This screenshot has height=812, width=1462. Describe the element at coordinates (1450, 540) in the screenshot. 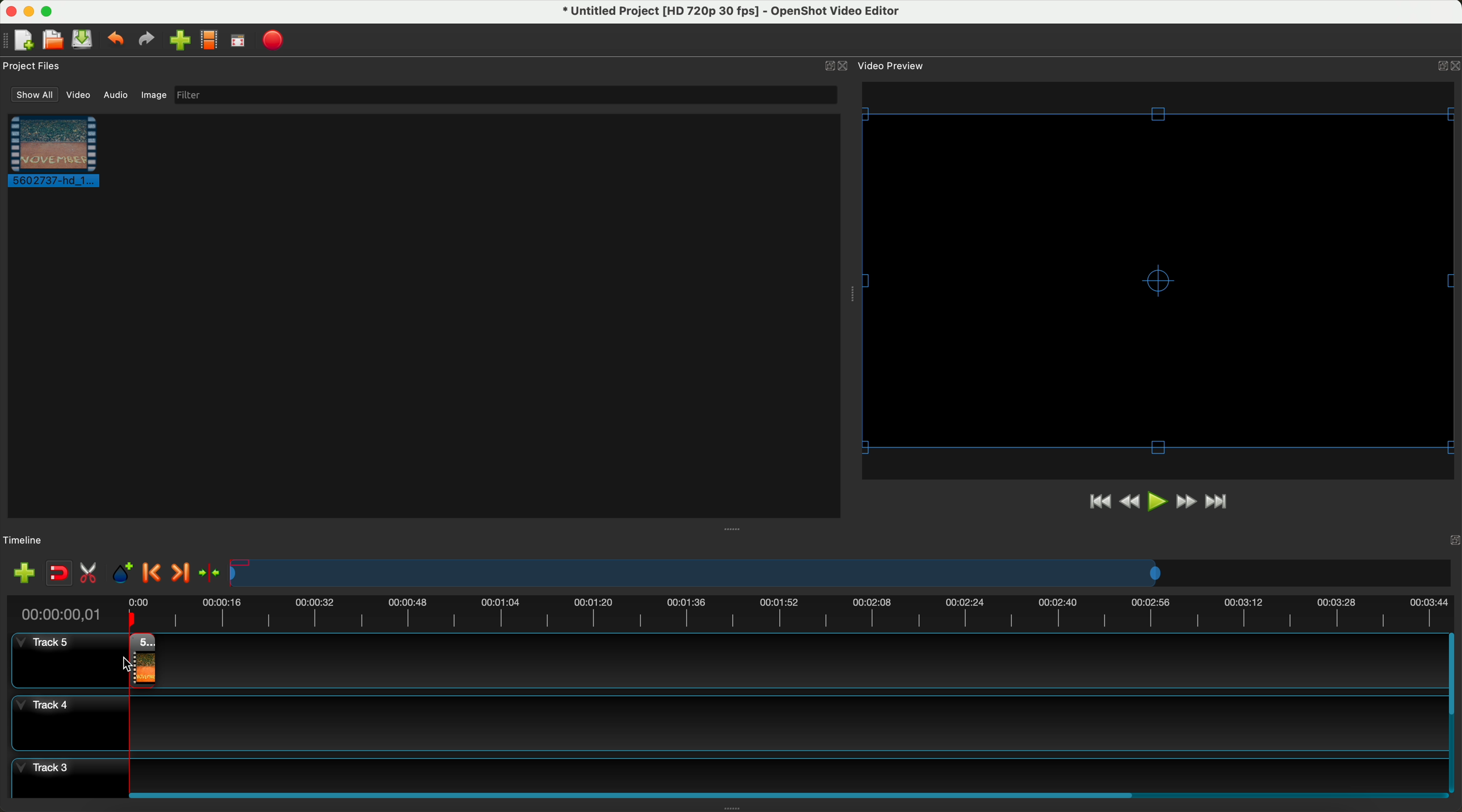

I see `` at that location.